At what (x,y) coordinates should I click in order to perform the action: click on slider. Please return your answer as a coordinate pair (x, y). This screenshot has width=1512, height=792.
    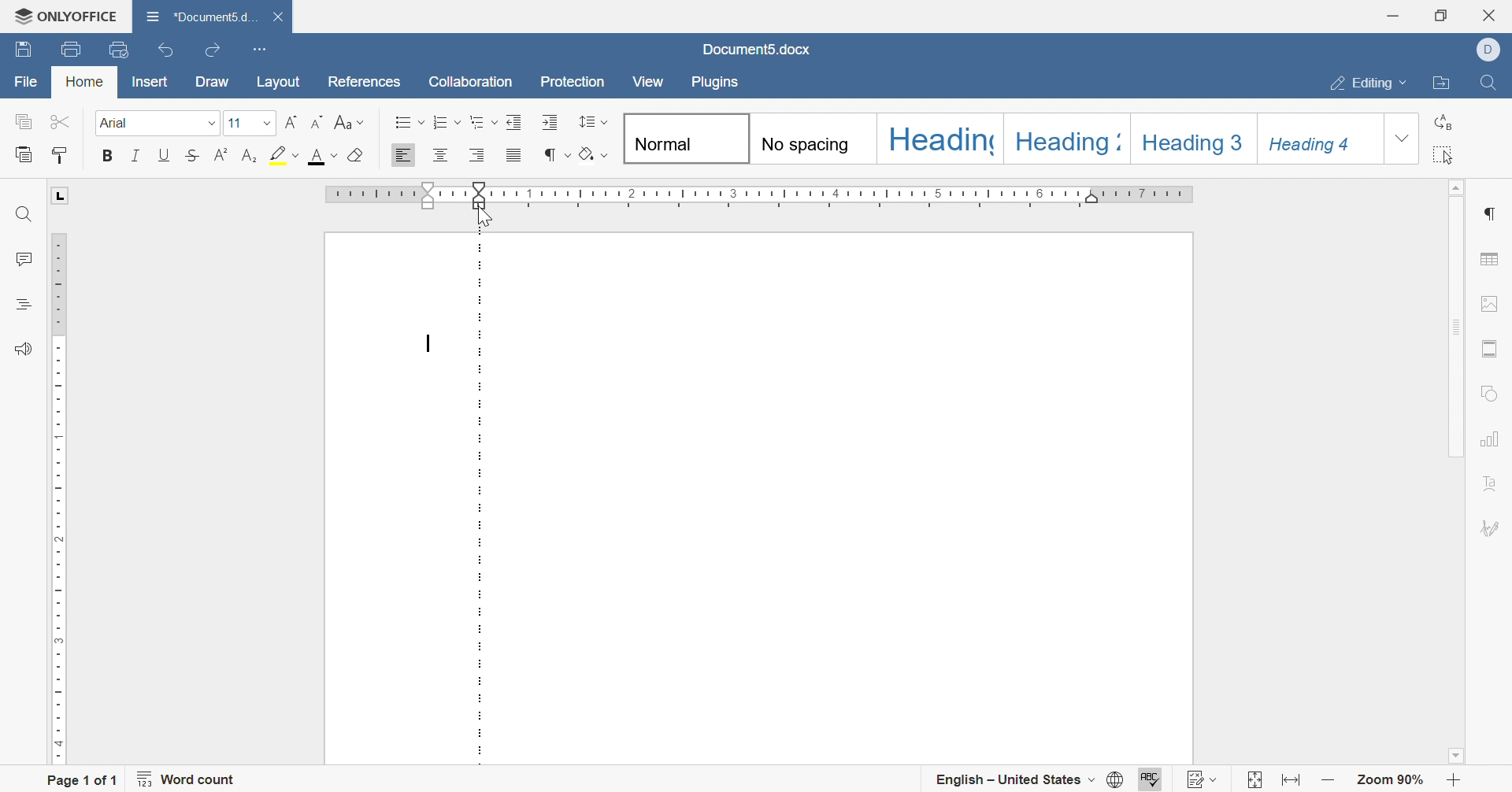
    Looking at the image, I should click on (480, 190).